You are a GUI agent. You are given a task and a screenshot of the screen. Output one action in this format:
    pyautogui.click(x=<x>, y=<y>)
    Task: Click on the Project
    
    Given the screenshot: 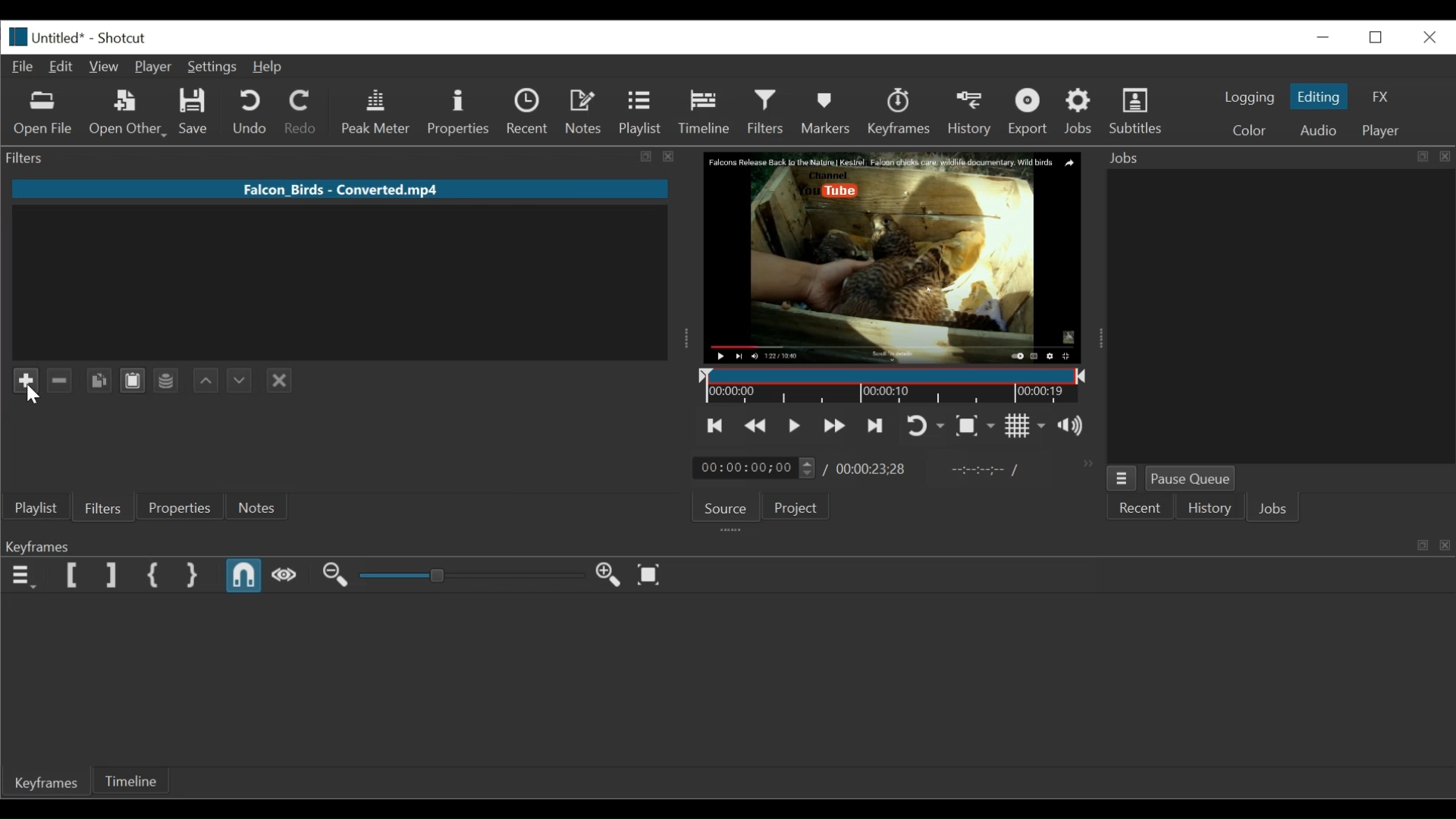 What is the action you would take?
    pyautogui.click(x=795, y=507)
    